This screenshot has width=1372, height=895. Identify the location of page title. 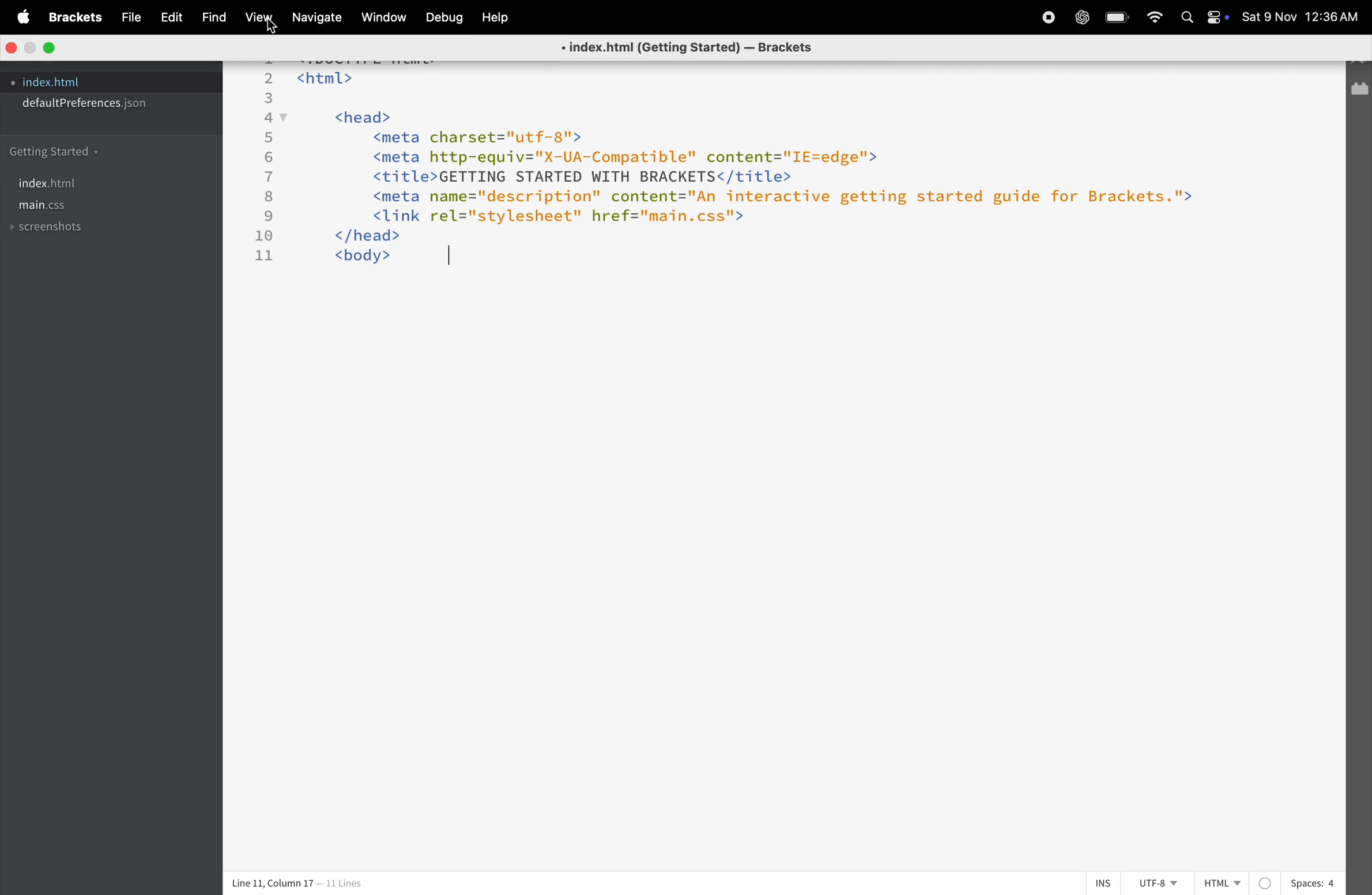
(681, 48).